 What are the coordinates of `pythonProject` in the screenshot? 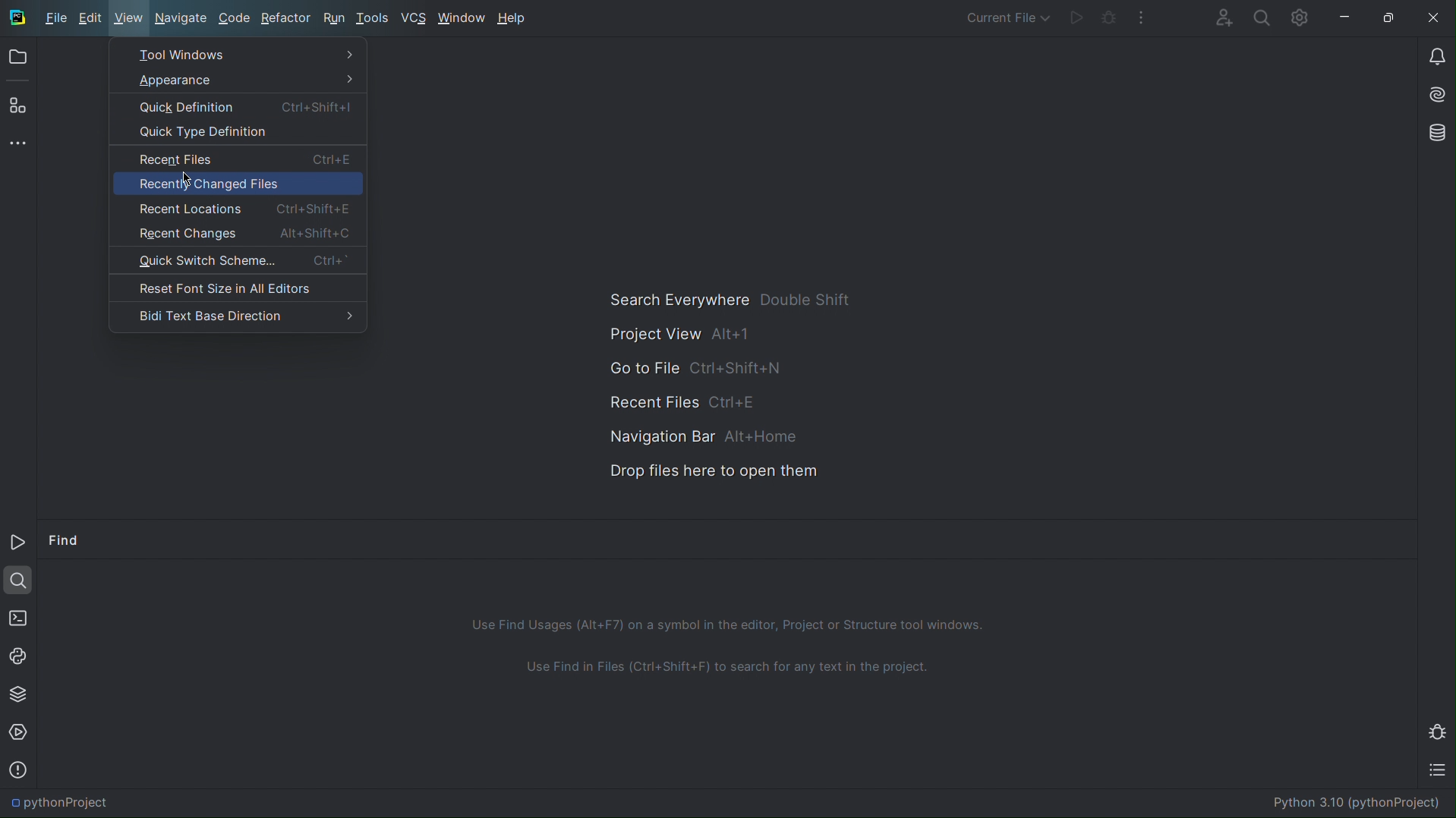 It's located at (60, 803).